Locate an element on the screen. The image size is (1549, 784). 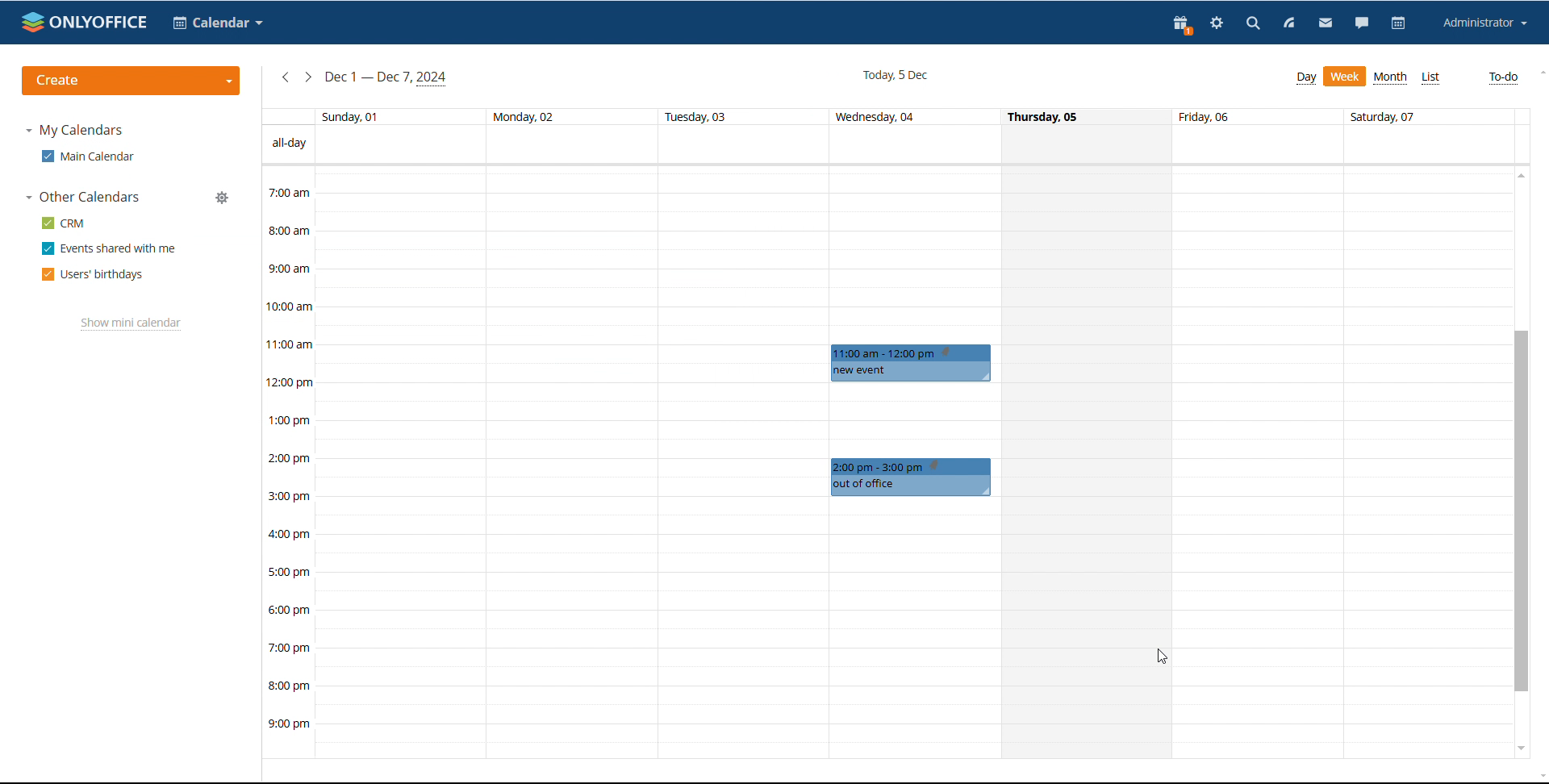
users' birthdays is located at coordinates (92, 275).